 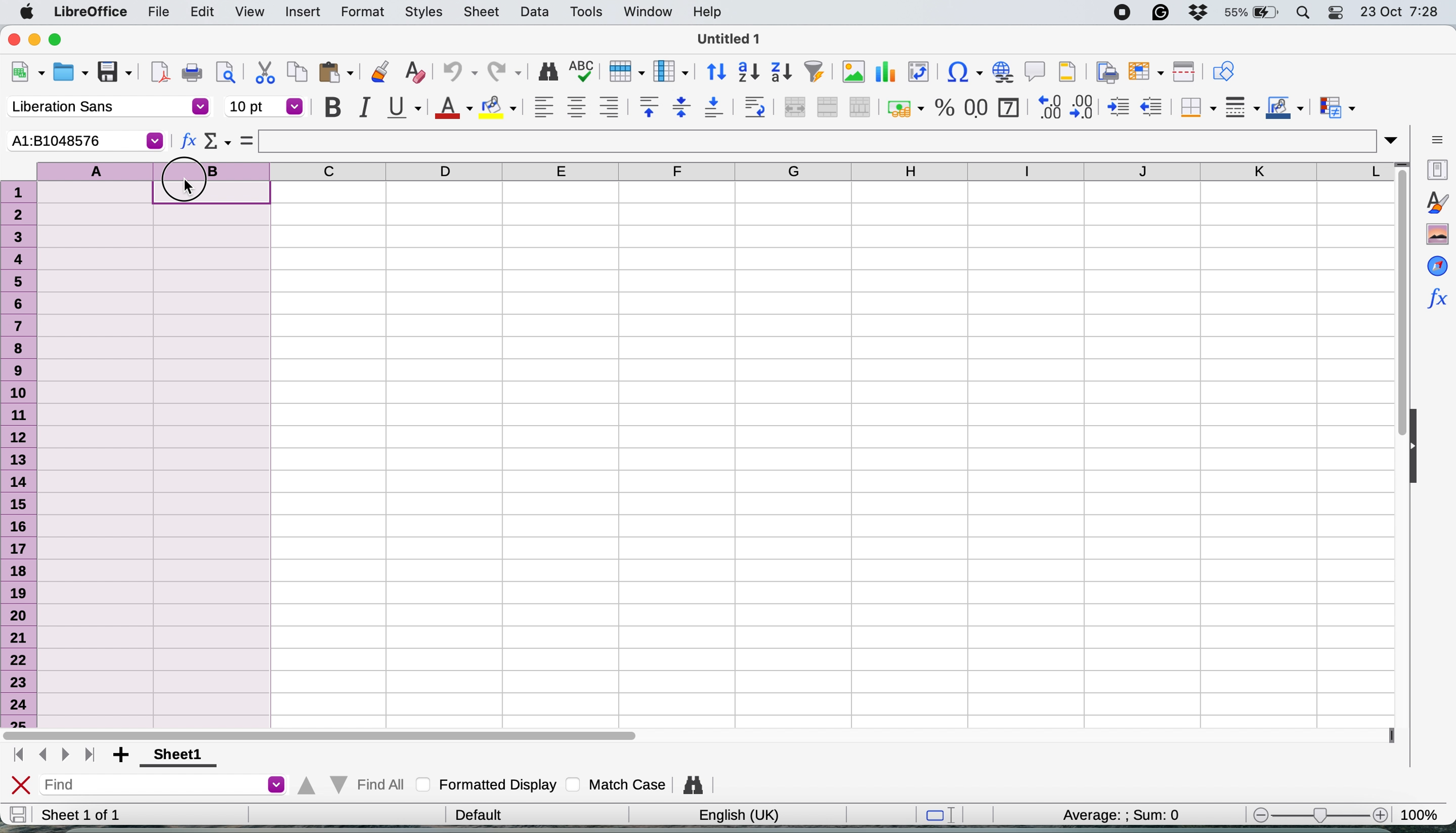 What do you see at coordinates (1240, 108) in the screenshot?
I see `border styles` at bounding box center [1240, 108].